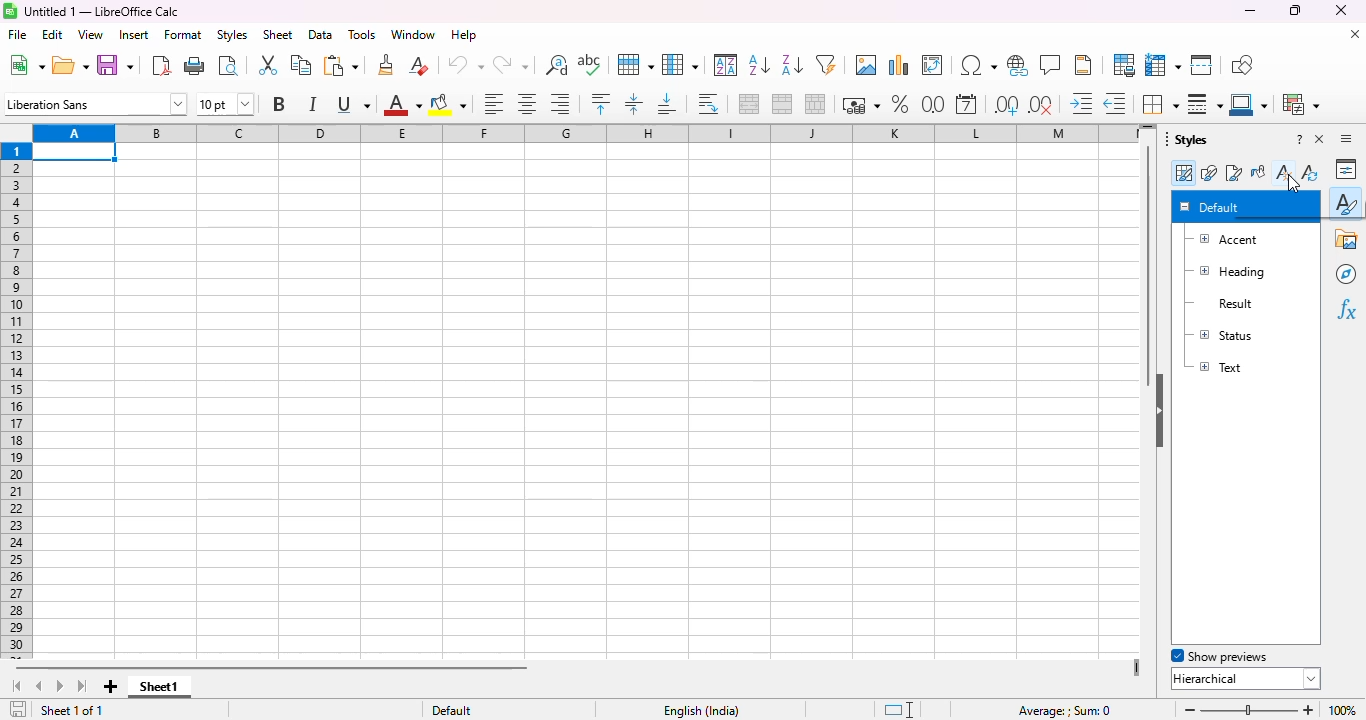 This screenshot has height=720, width=1366. Describe the element at coordinates (1190, 710) in the screenshot. I see `zoom out` at that location.